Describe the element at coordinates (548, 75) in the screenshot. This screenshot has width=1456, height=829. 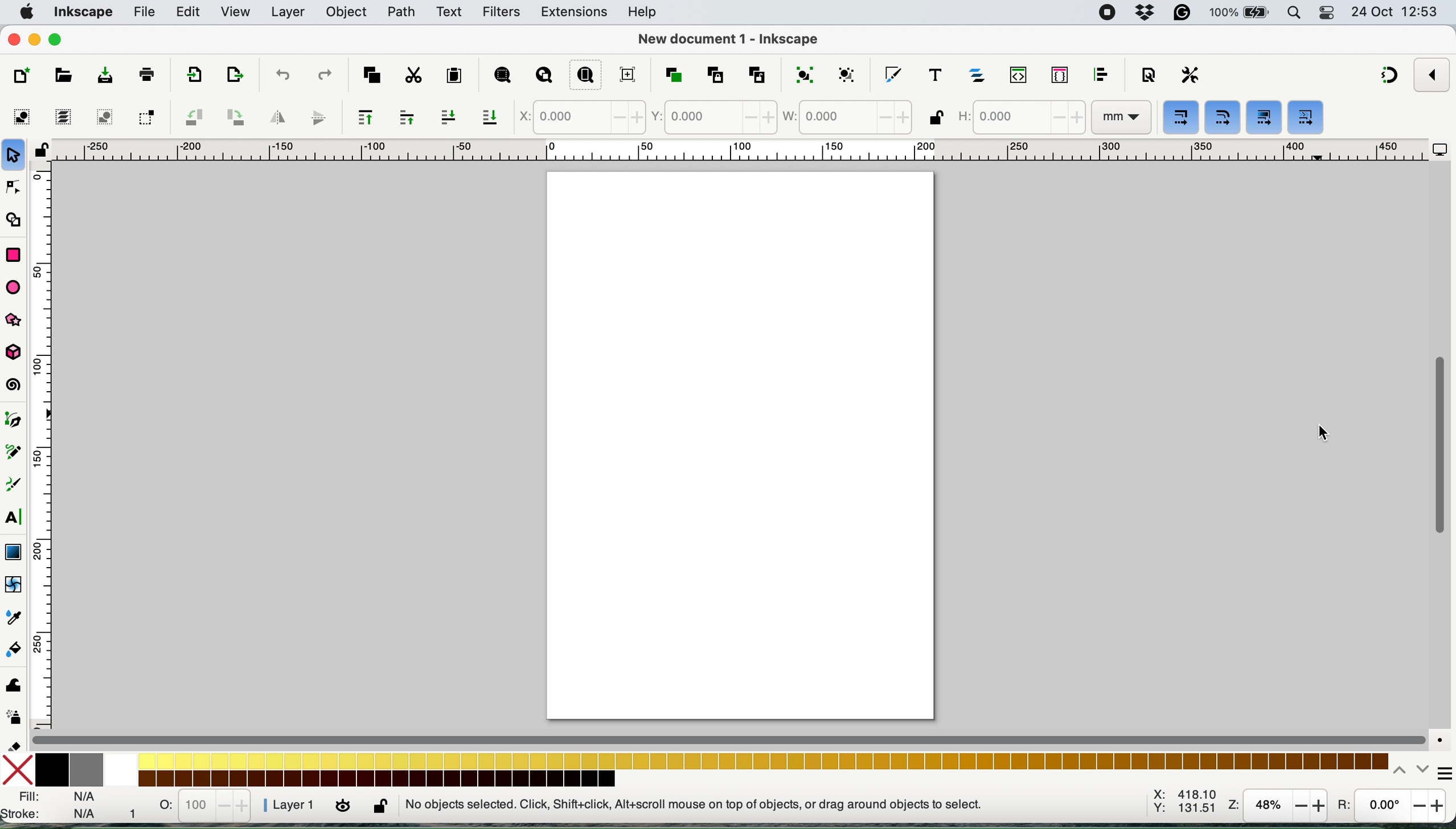
I see `zoom drawing` at that location.